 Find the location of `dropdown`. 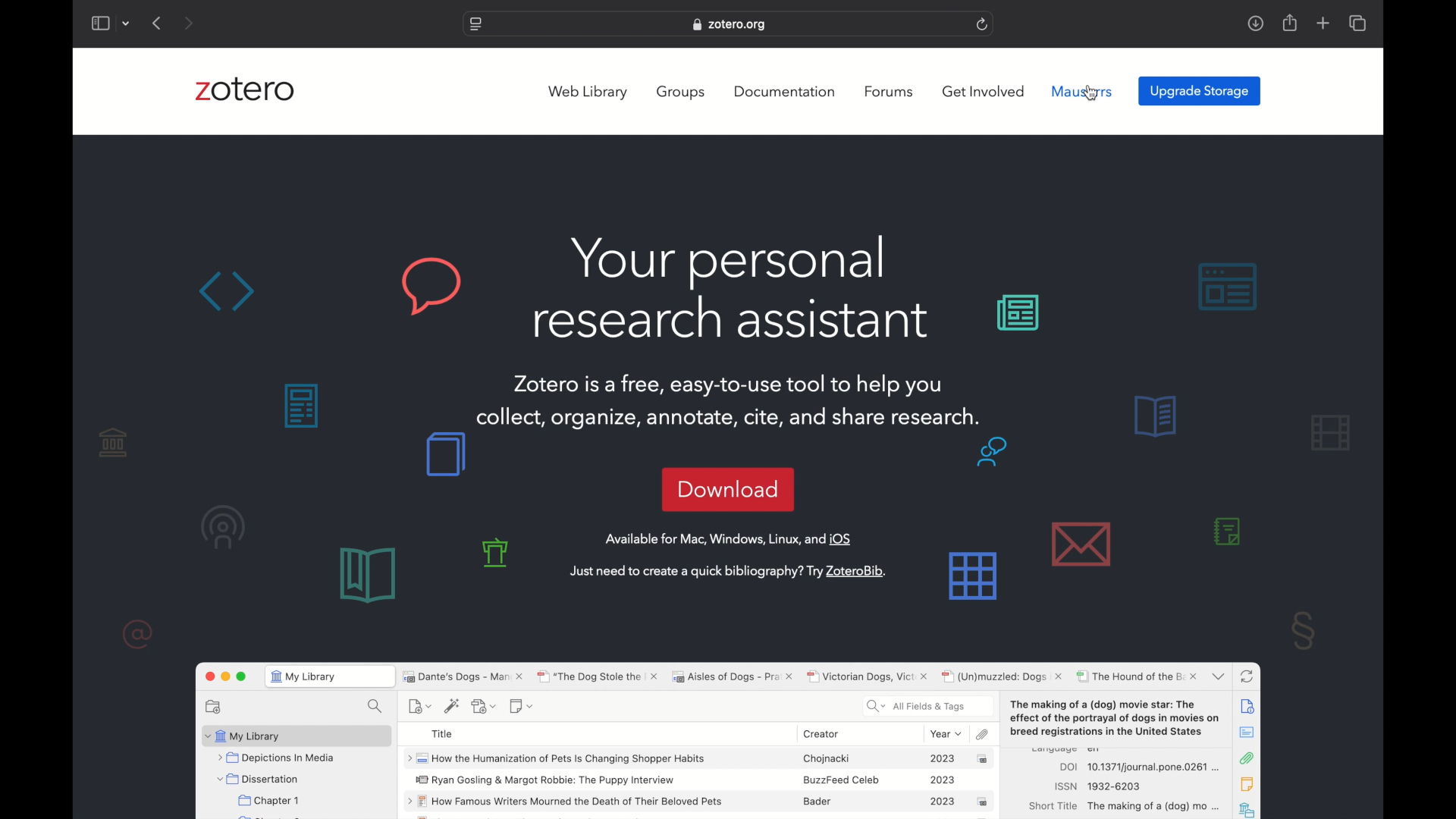

dropdown is located at coordinates (126, 25).